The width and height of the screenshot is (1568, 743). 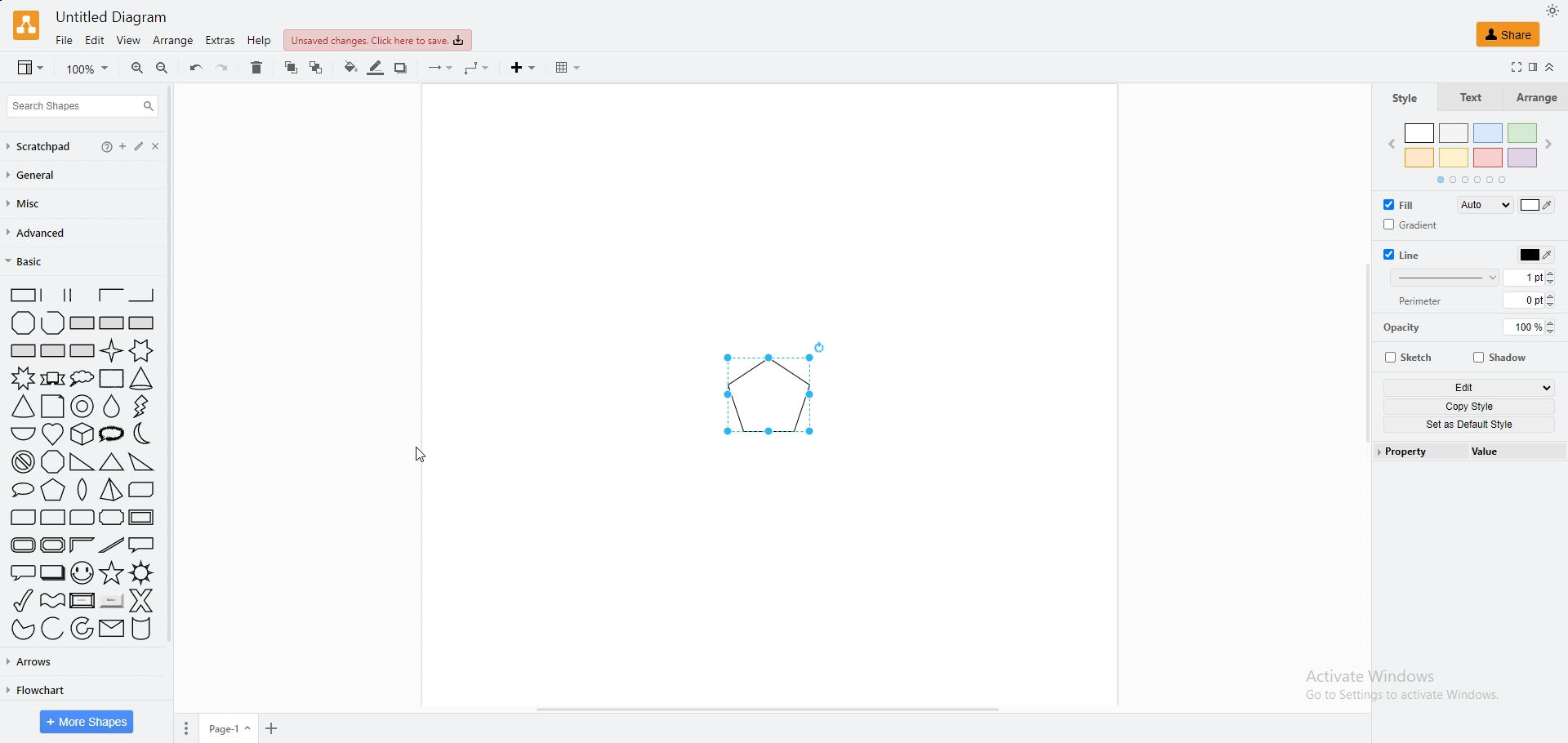 What do you see at coordinates (138, 69) in the screenshot?
I see `zoom in` at bounding box center [138, 69].